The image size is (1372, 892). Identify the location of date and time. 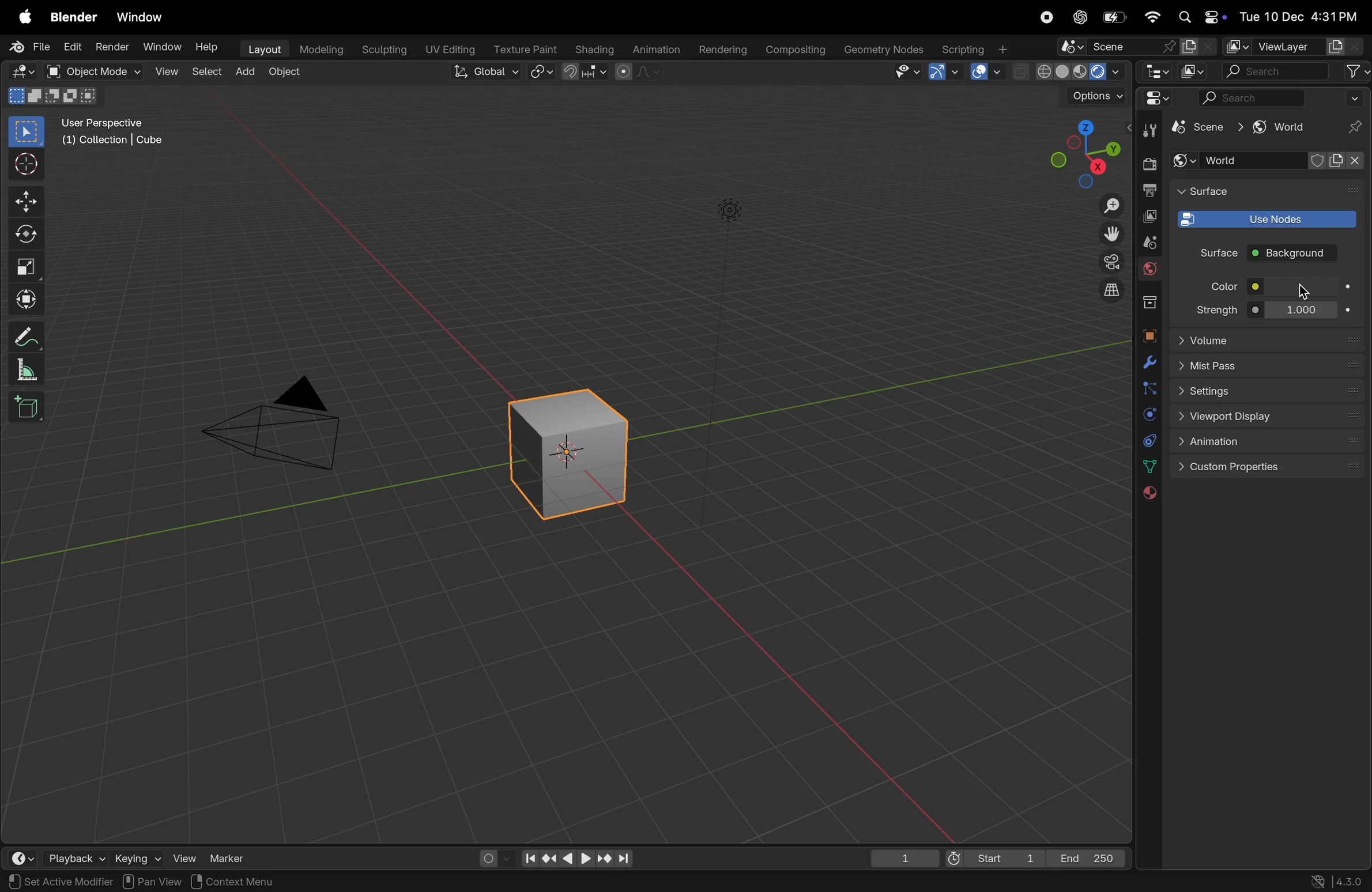
(1298, 13).